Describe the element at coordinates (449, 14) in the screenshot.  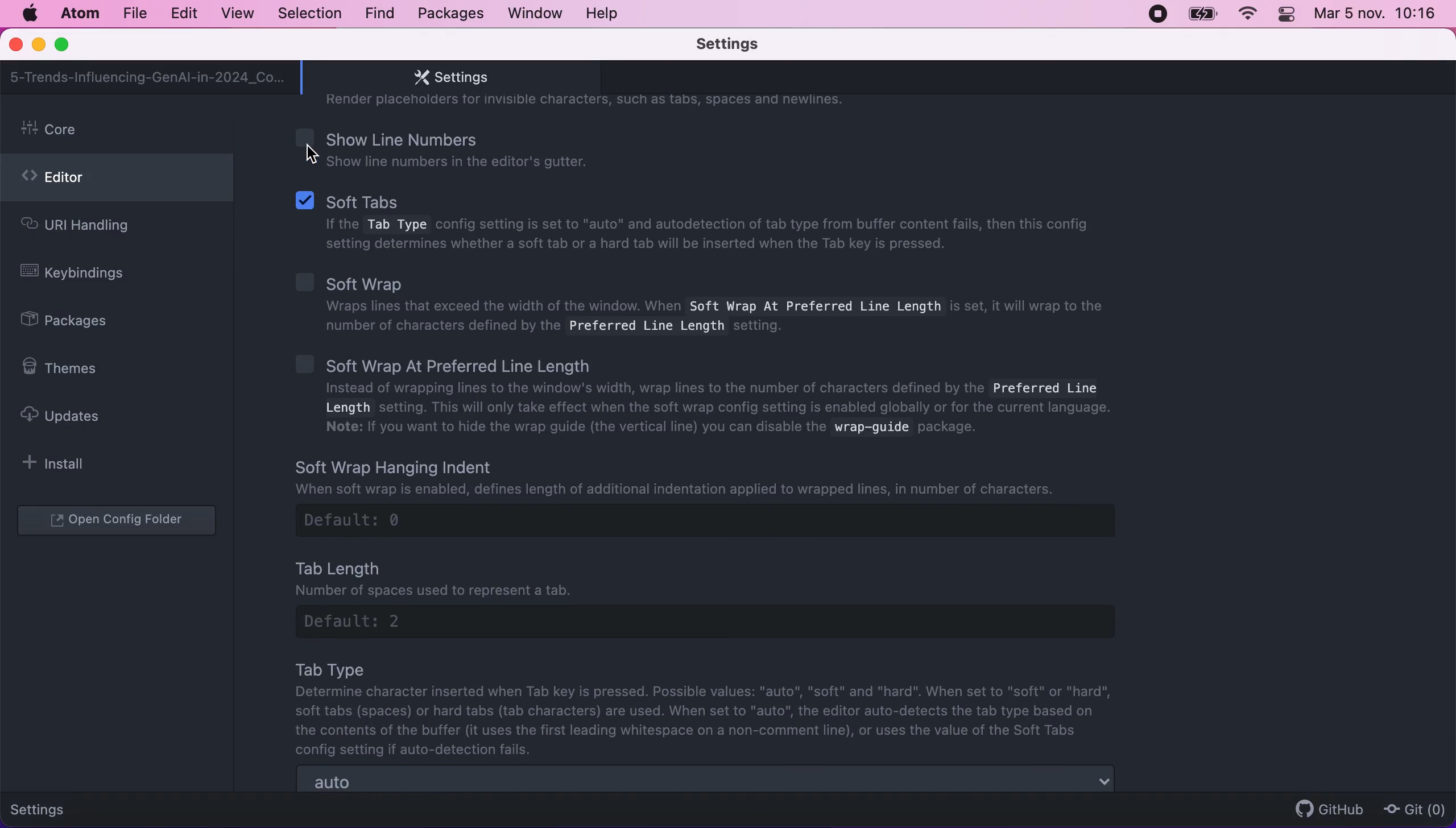
I see `packages` at that location.